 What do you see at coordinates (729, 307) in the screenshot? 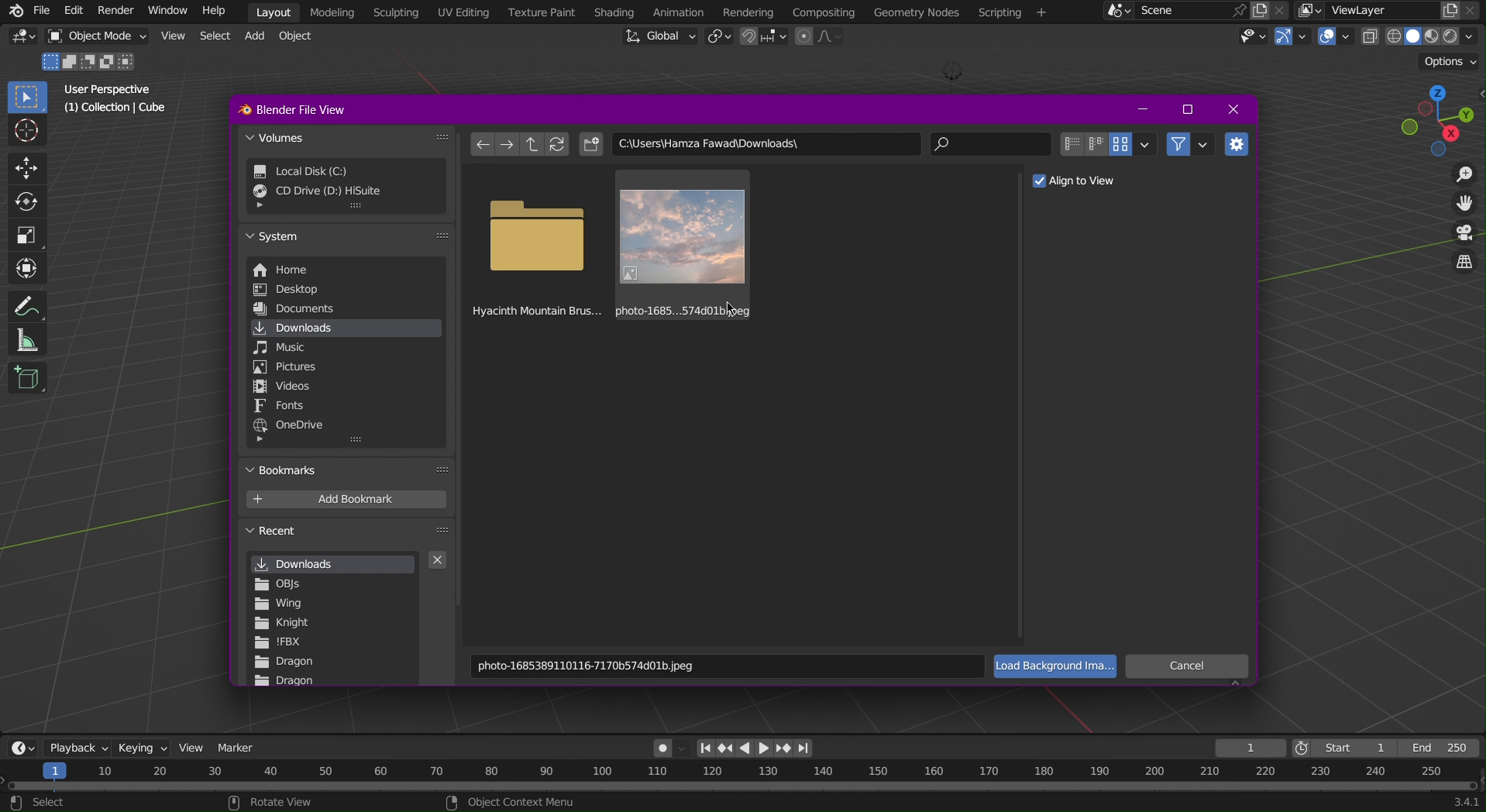
I see `Cursor at Image` at bounding box center [729, 307].